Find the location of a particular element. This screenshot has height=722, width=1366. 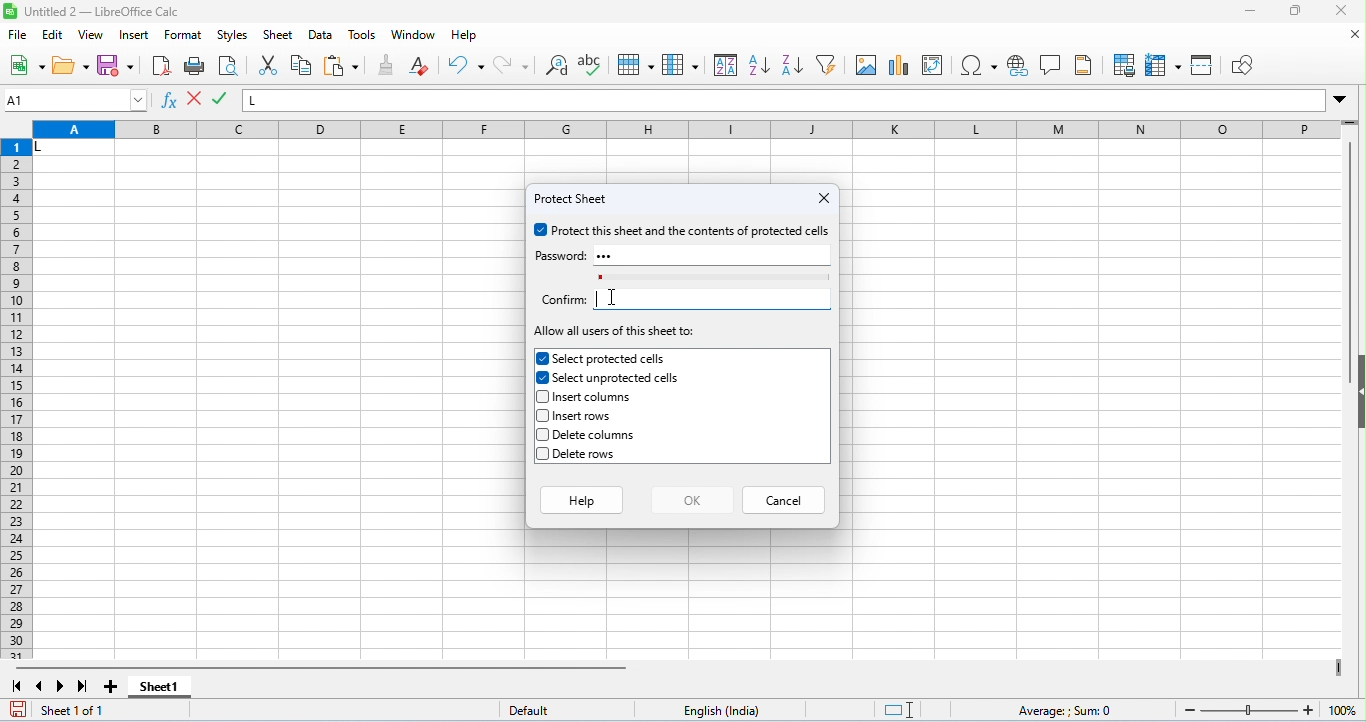

new is located at coordinates (27, 67).